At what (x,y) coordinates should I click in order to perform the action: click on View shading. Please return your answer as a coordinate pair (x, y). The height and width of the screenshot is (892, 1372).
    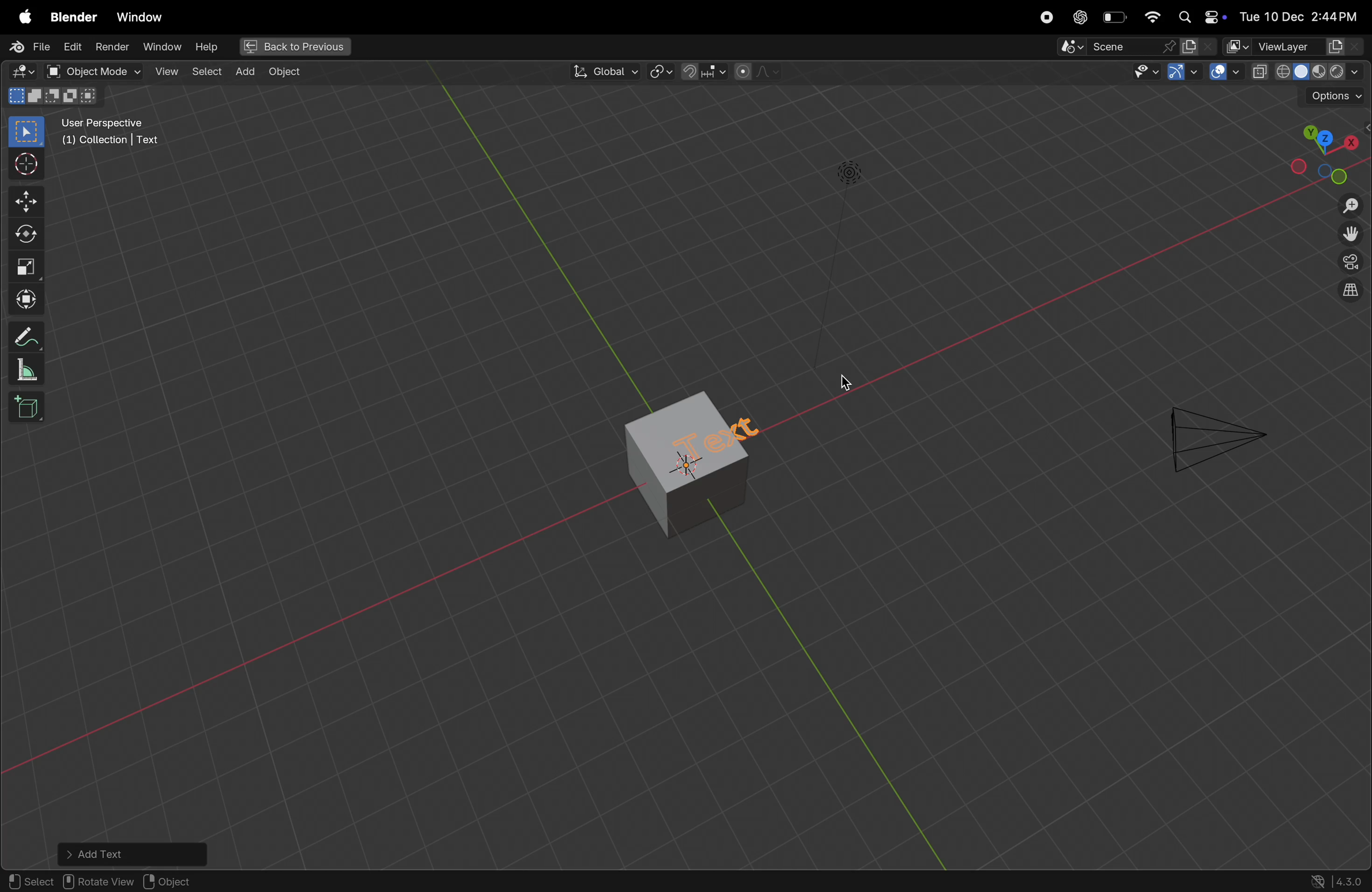
    Looking at the image, I should click on (1306, 74).